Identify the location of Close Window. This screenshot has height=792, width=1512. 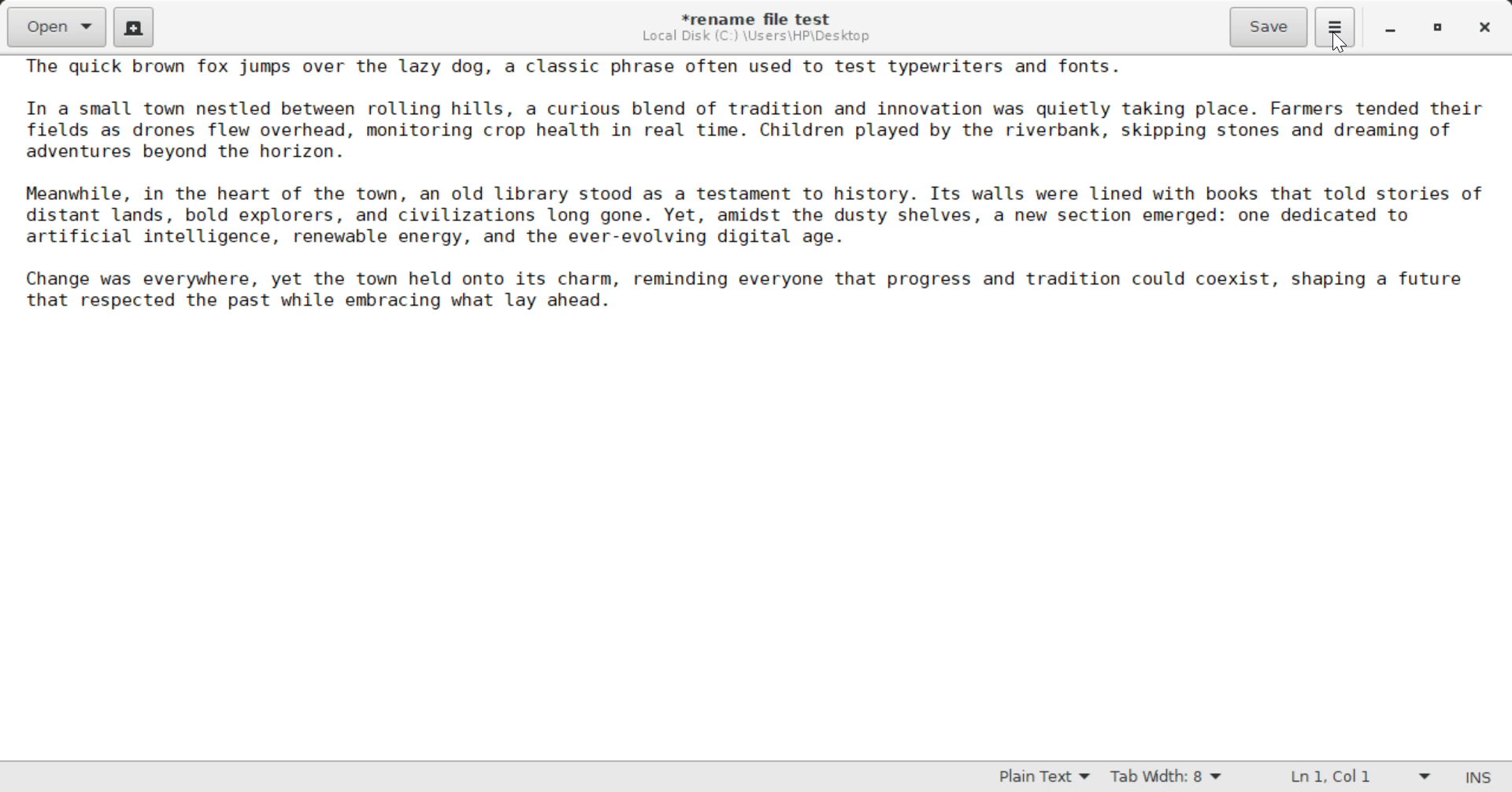
(1488, 29).